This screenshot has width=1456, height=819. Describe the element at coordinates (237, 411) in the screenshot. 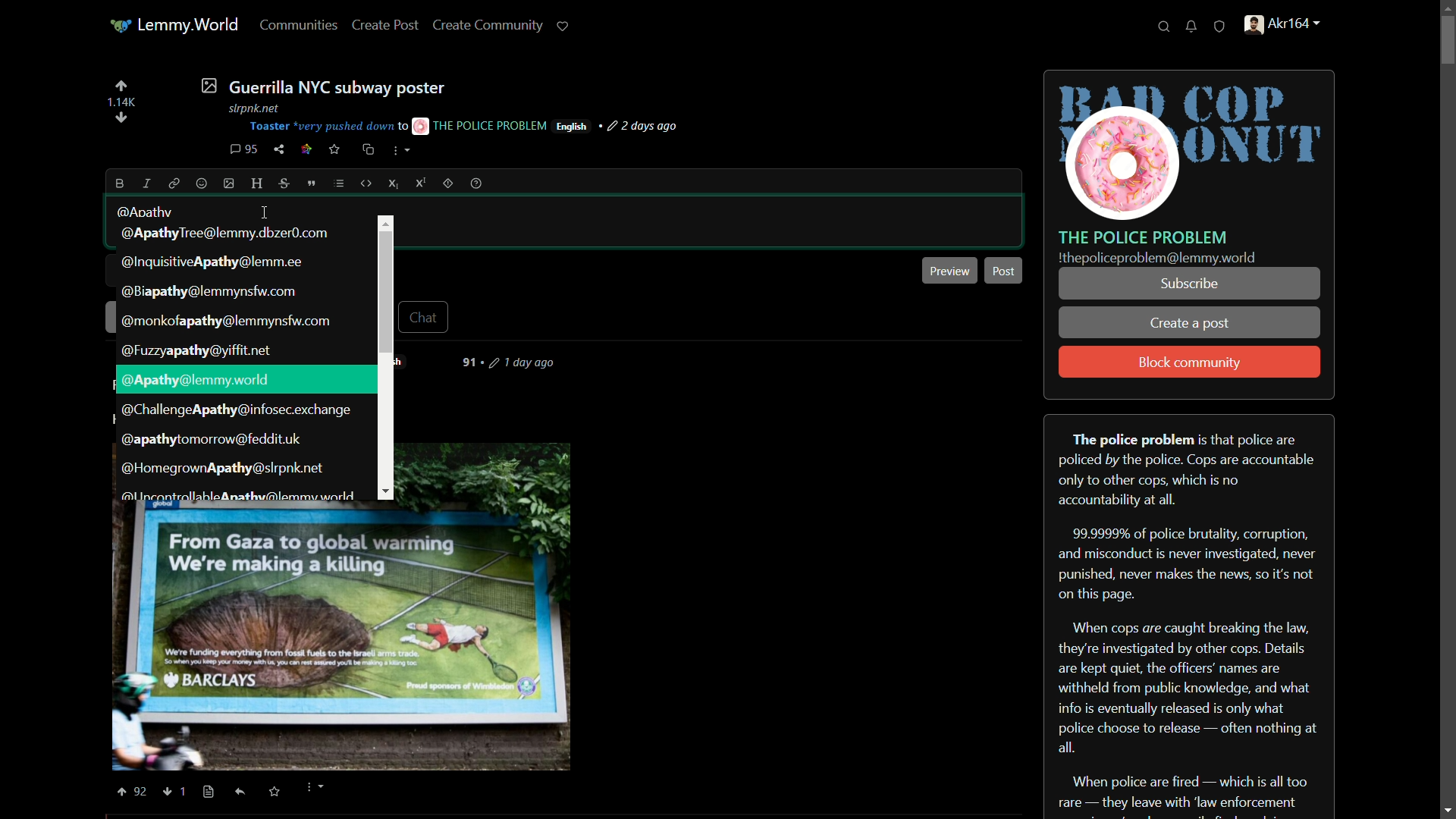

I see `suggestion-7` at that location.